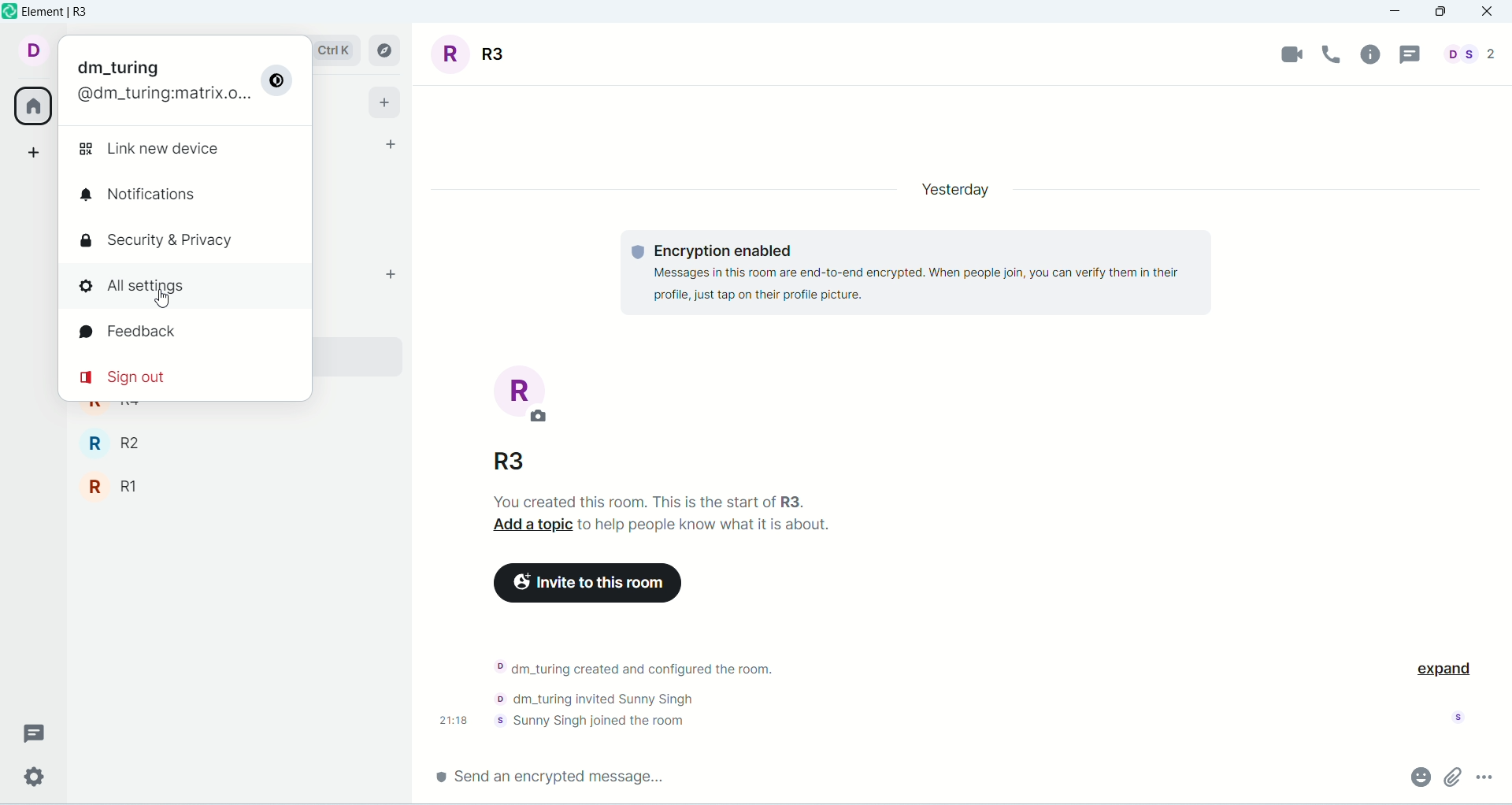 Image resolution: width=1512 pixels, height=805 pixels. I want to click on explore rooms, so click(387, 50).